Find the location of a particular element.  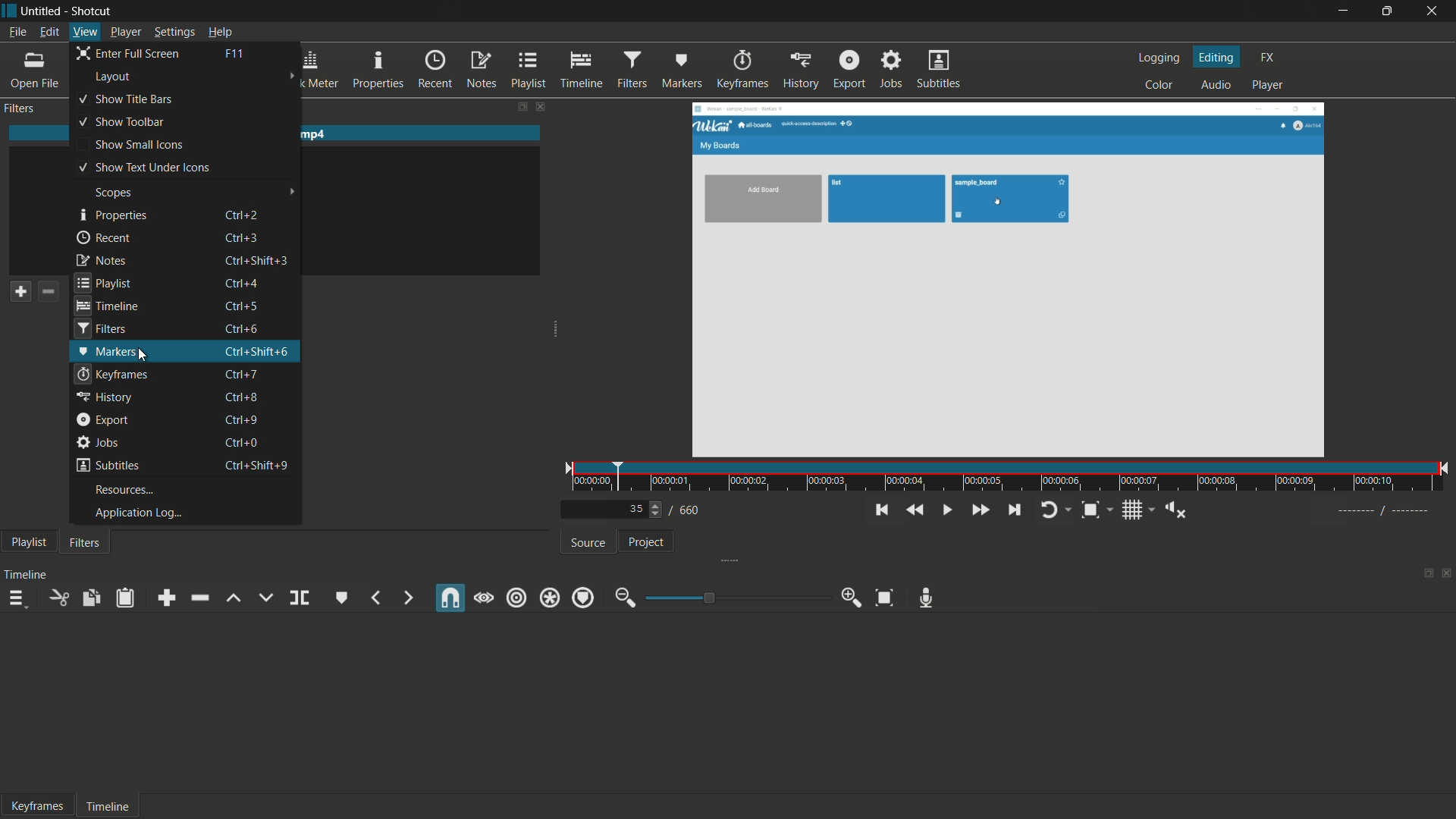

copy is located at coordinates (92, 598).